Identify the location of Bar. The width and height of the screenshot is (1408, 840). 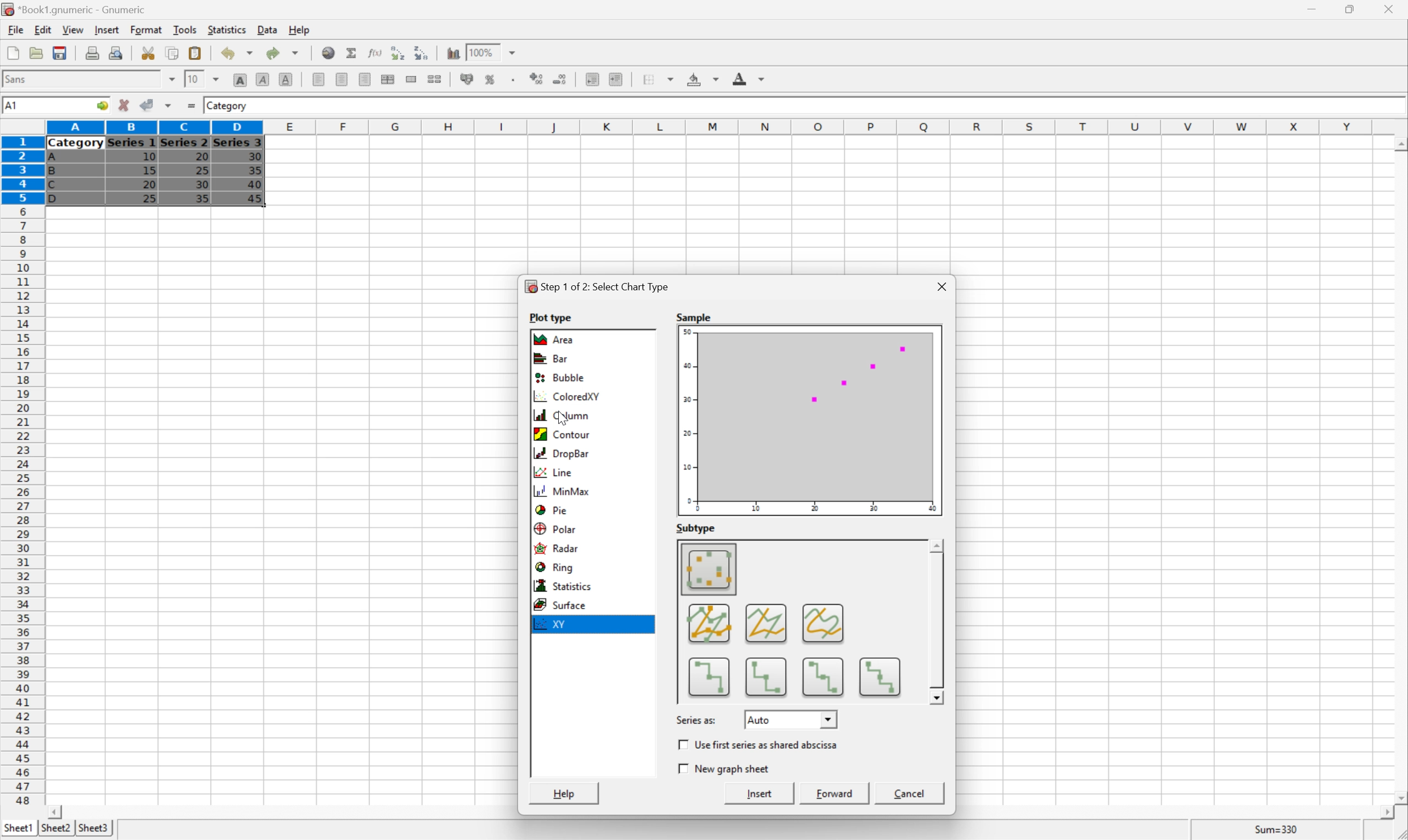
(551, 359).